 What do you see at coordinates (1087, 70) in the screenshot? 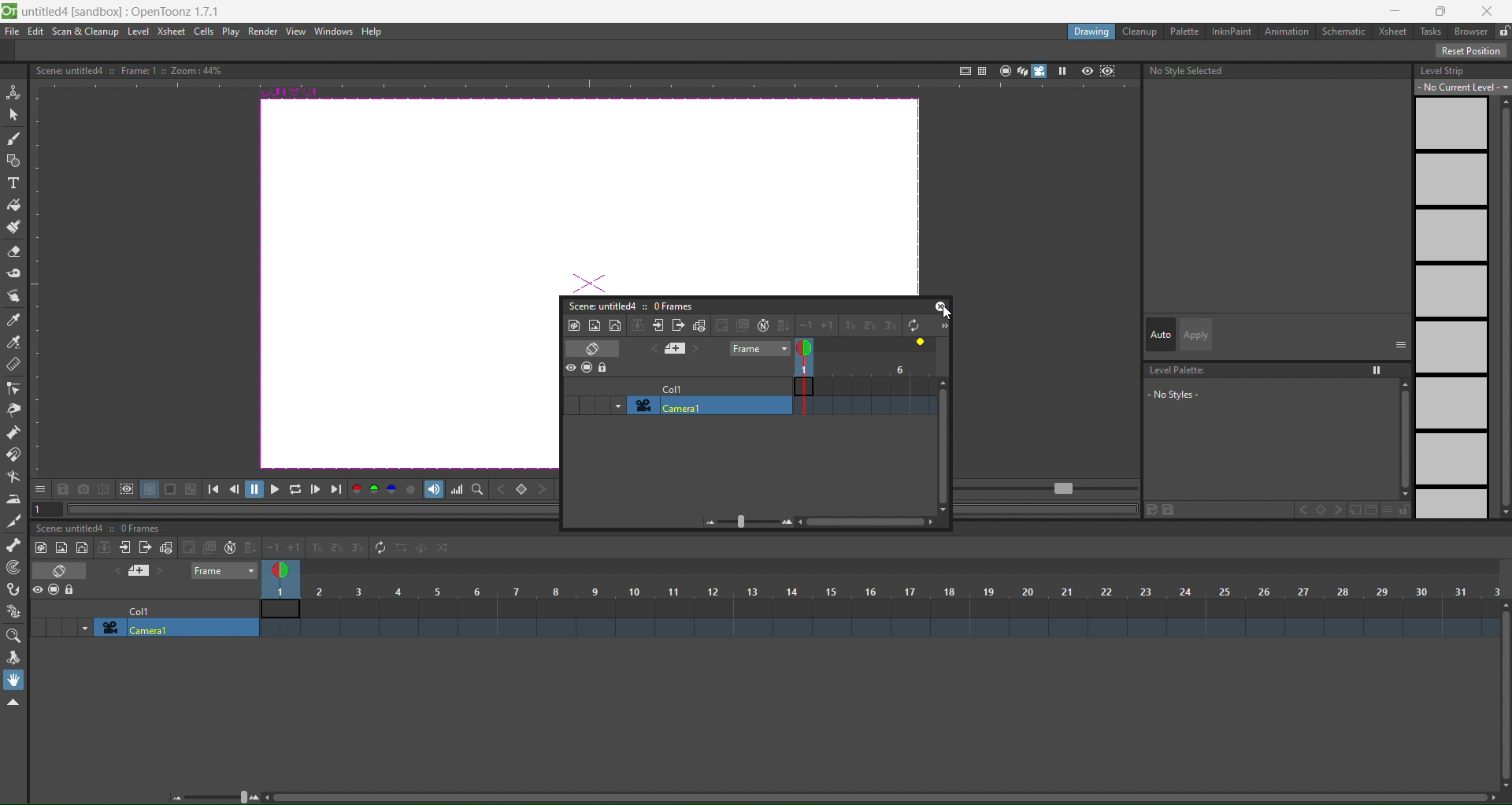
I see `preview` at bounding box center [1087, 70].